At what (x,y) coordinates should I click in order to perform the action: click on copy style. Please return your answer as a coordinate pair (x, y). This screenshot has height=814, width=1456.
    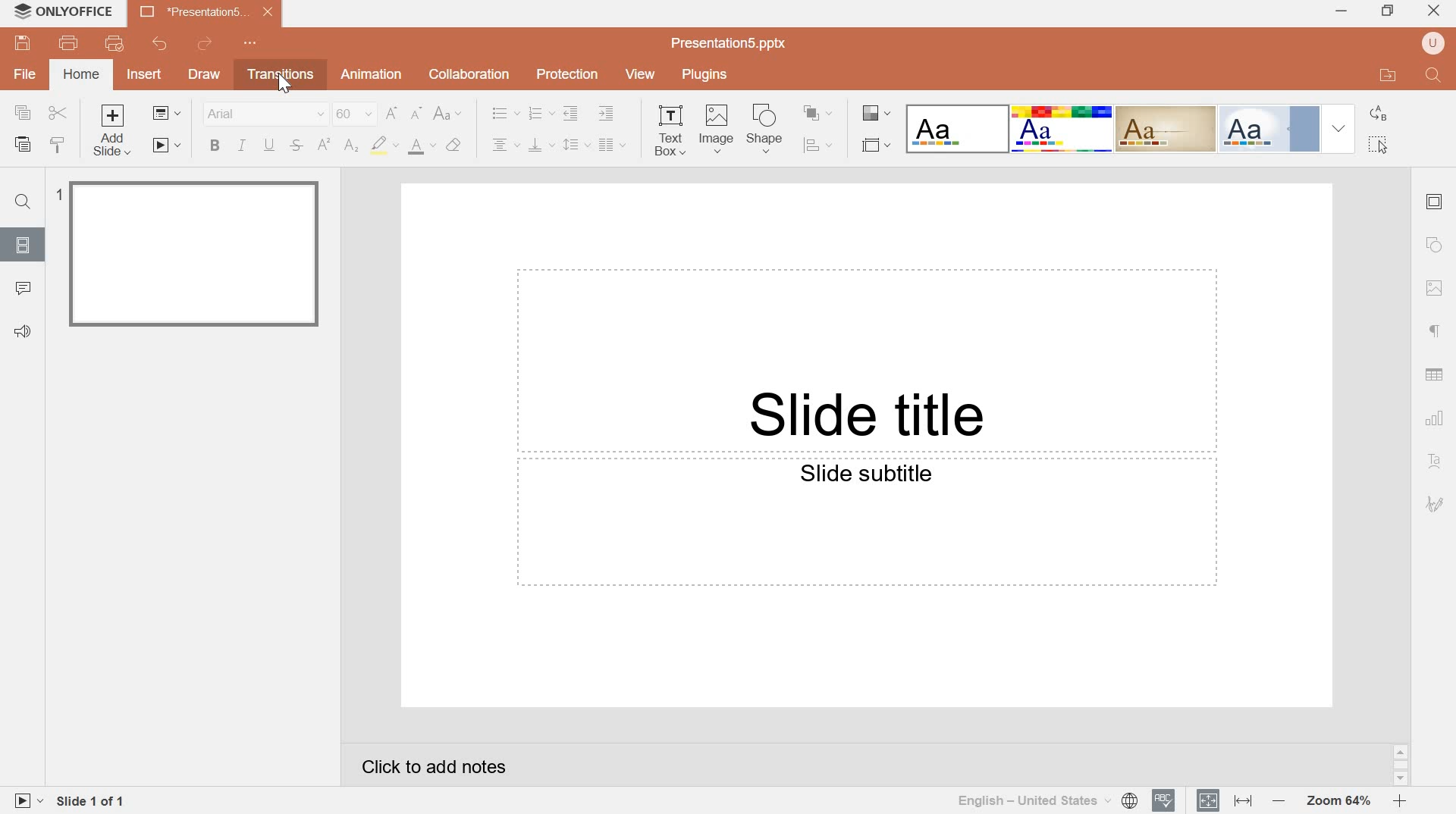
    Looking at the image, I should click on (61, 144).